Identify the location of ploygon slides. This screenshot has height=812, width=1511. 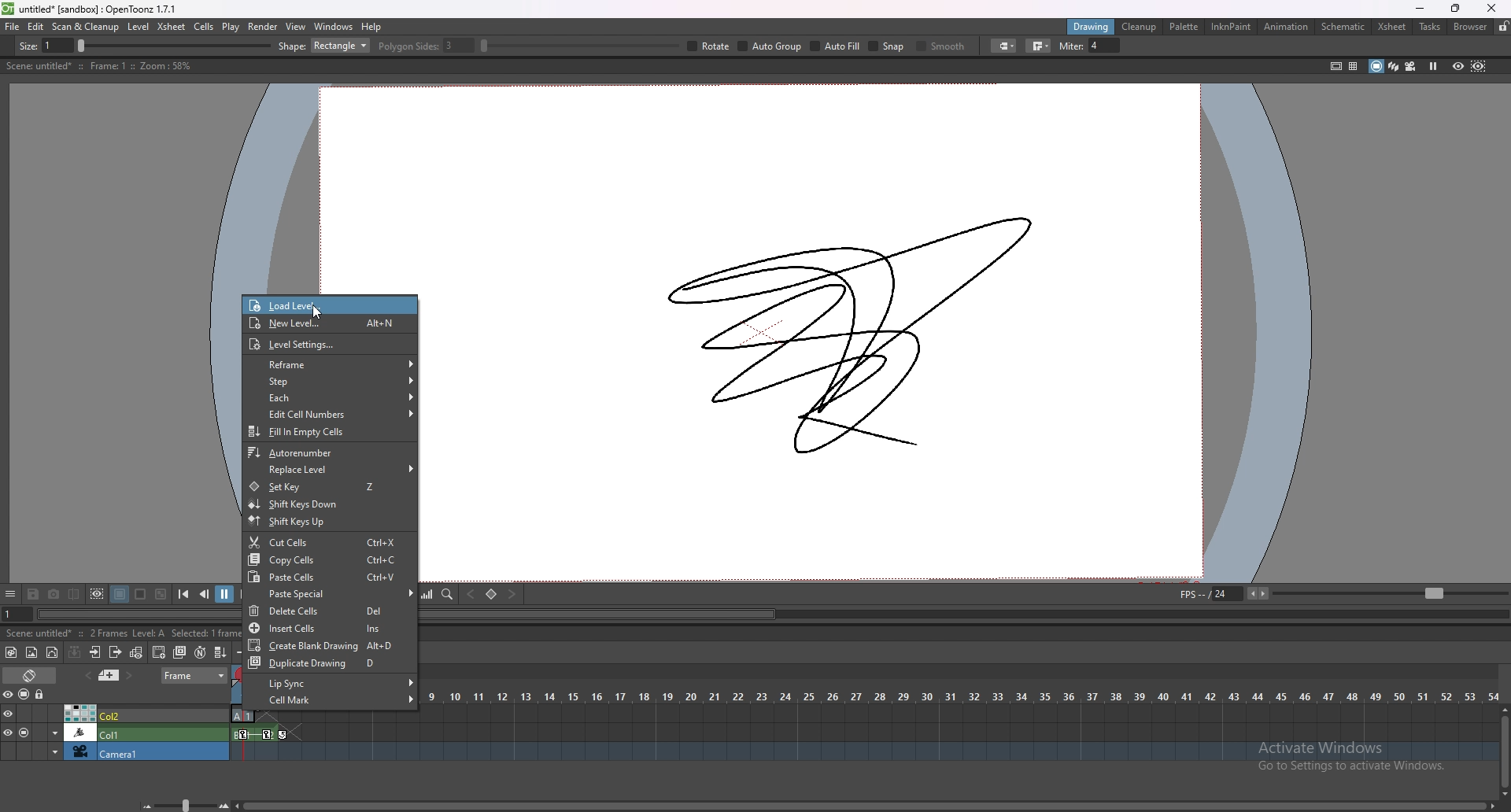
(742, 46).